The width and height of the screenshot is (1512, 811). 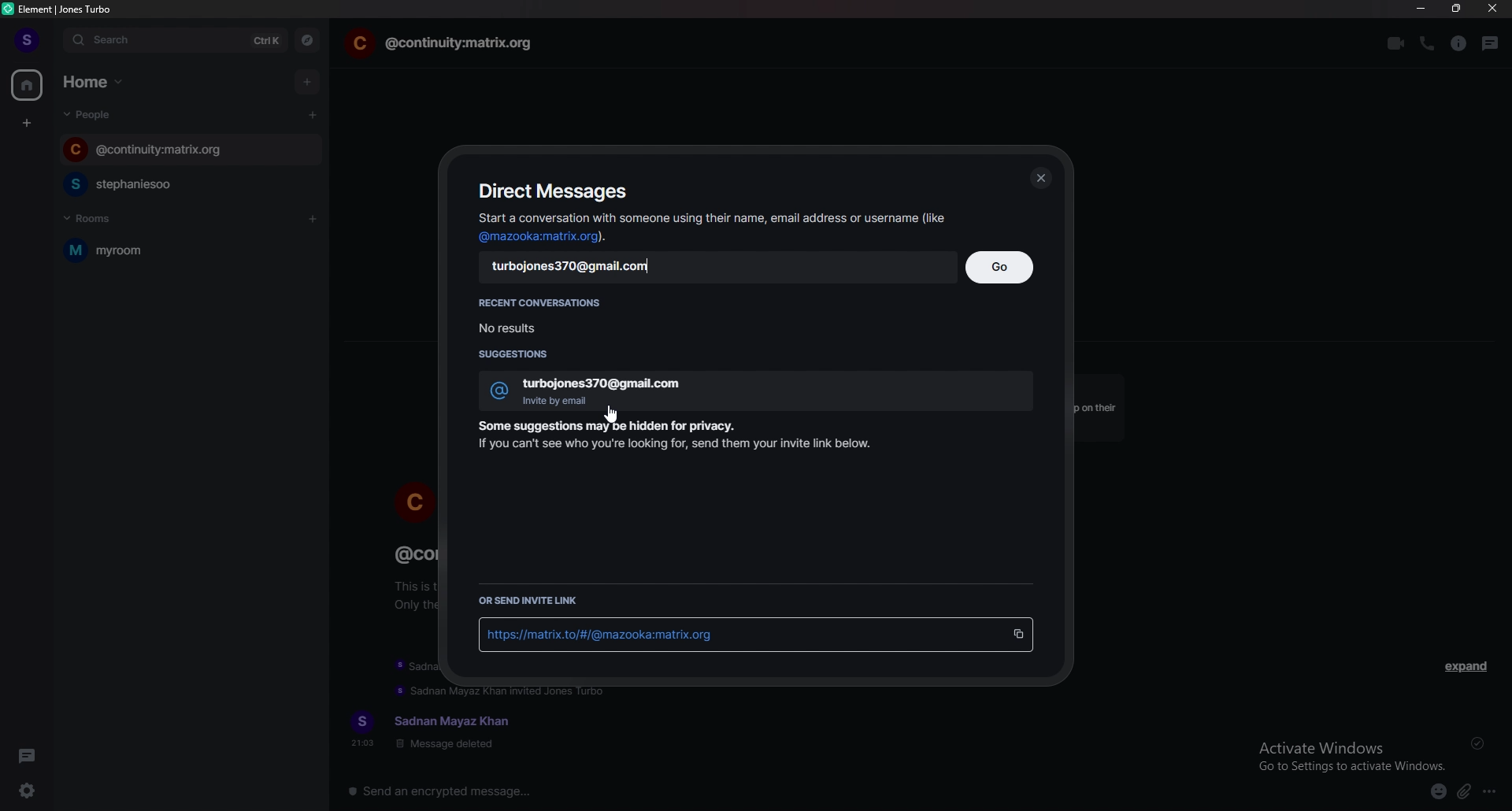 What do you see at coordinates (677, 791) in the screenshot?
I see `message input` at bounding box center [677, 791].